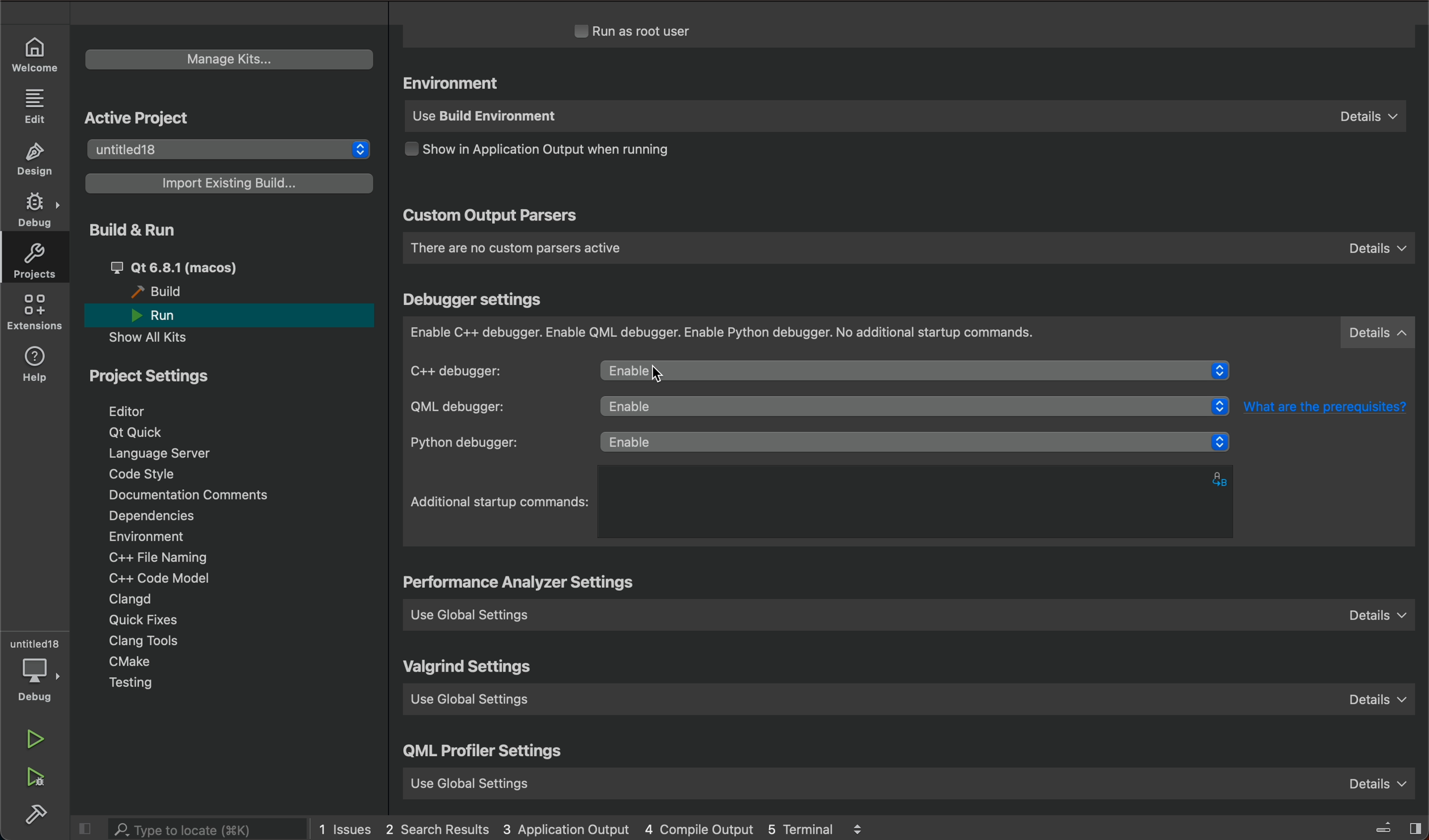 The image size is (1429, 840). Describe the element at coordinates (40, 264) in the screenshot. I see `projects` at that location.